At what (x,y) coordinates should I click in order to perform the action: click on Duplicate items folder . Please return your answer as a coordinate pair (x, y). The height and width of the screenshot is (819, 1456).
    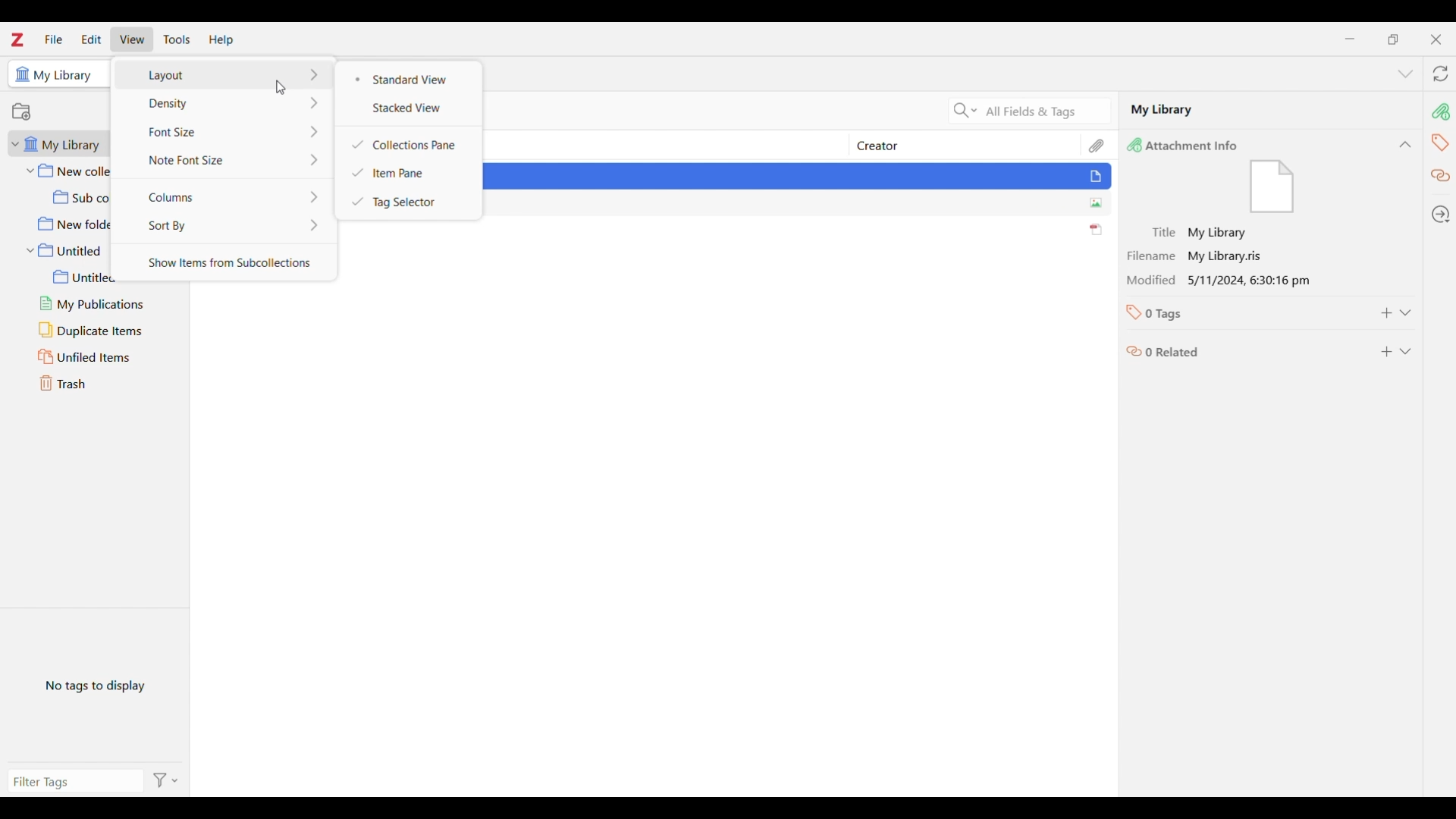
    Looking at the image, I should click on (100, 330).